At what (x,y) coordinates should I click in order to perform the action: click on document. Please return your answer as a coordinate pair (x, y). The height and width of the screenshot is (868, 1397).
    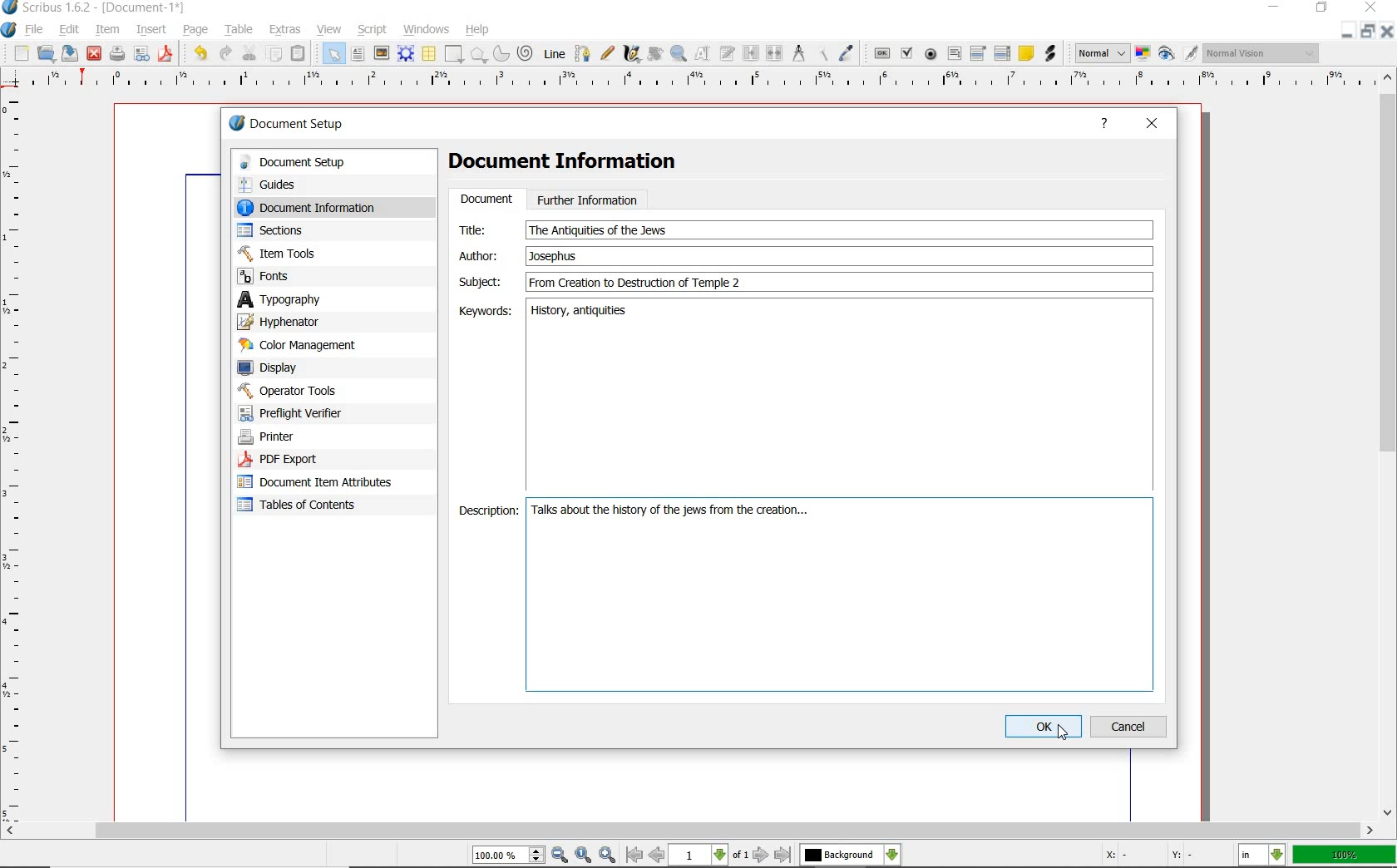
    Looking at the image, I should click on (486, 200).